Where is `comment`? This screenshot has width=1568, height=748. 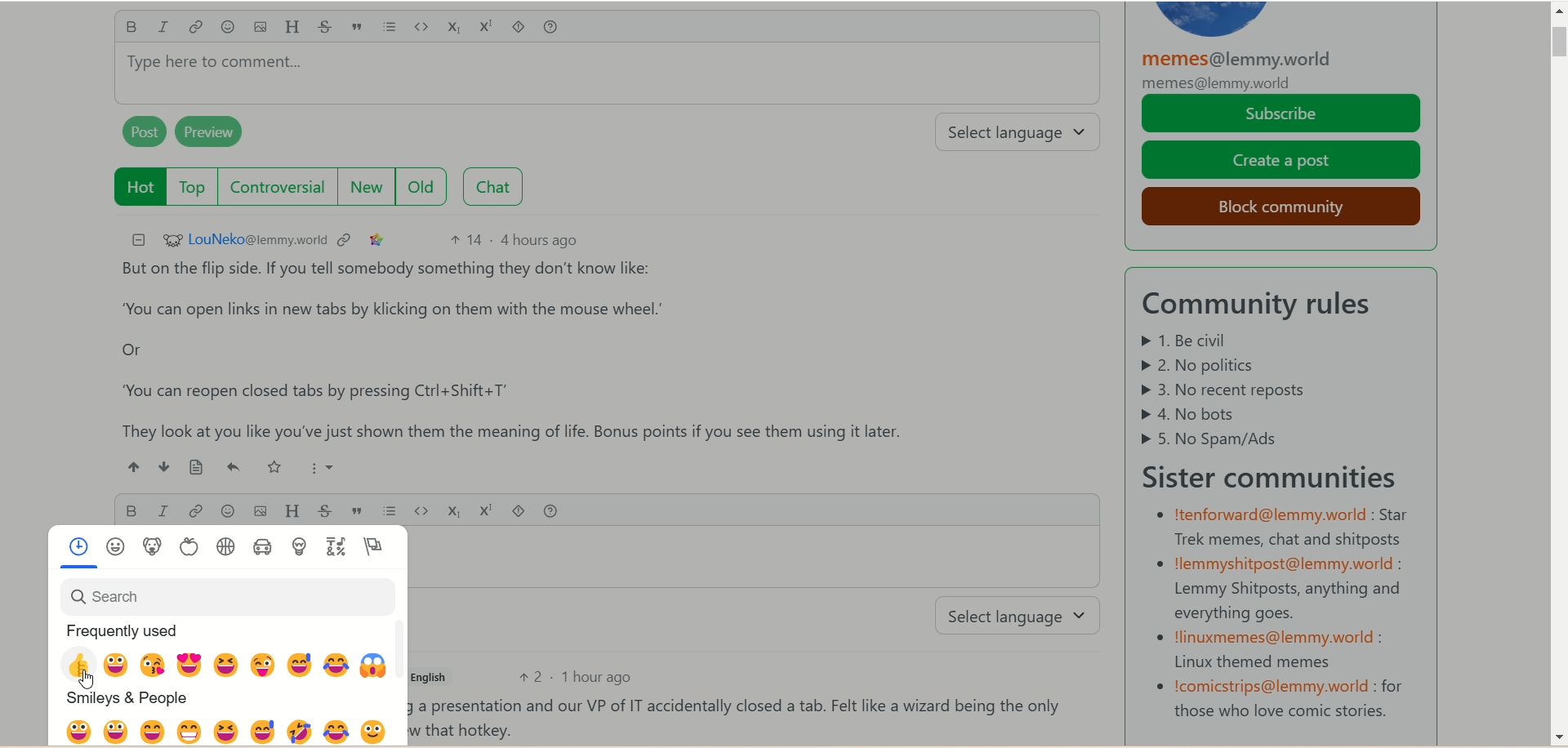 comment is located at coordinates (740, 716).